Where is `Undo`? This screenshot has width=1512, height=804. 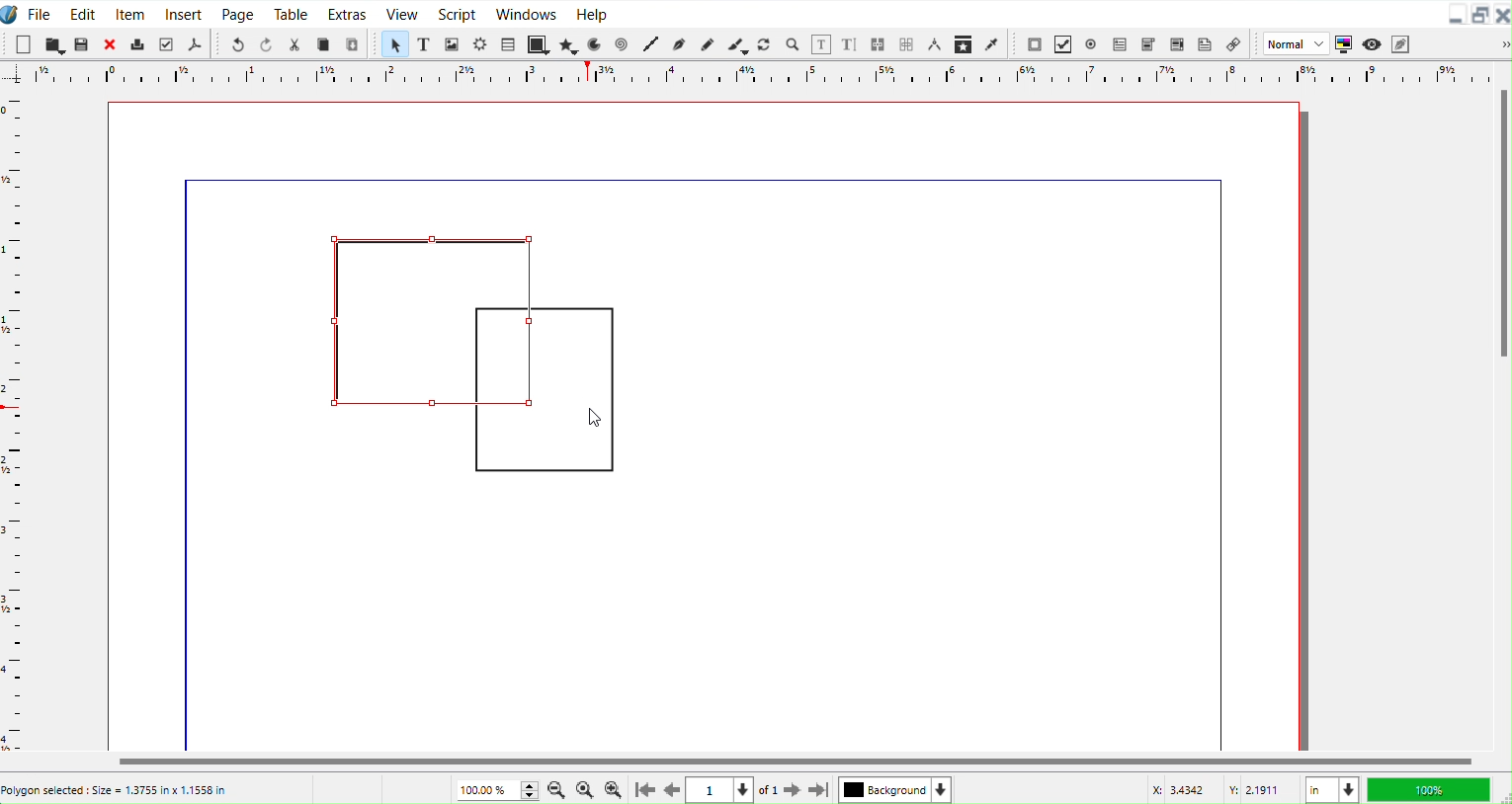 Undo is located at coordinates (237, 43).